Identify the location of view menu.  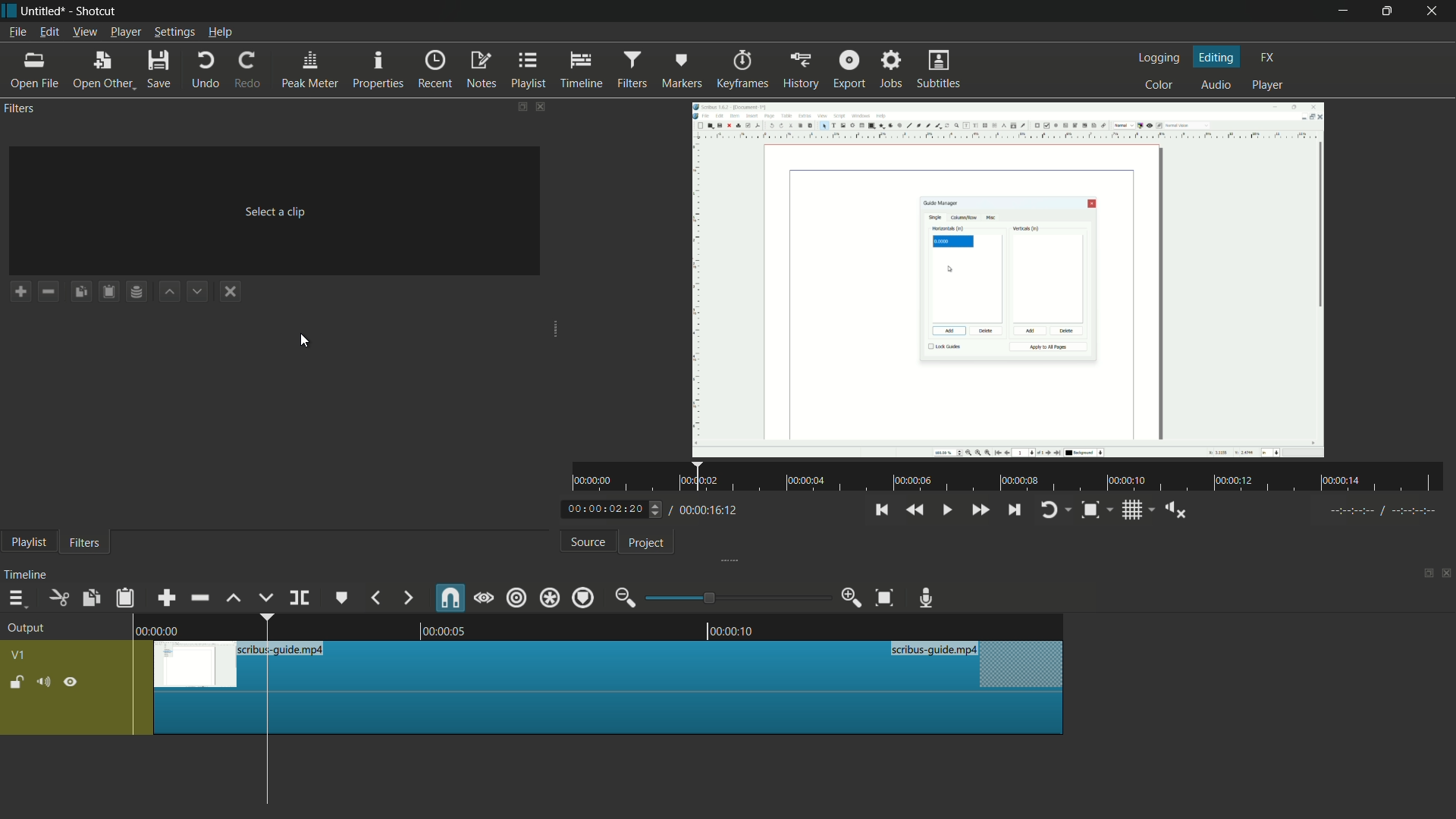
(86, 32).